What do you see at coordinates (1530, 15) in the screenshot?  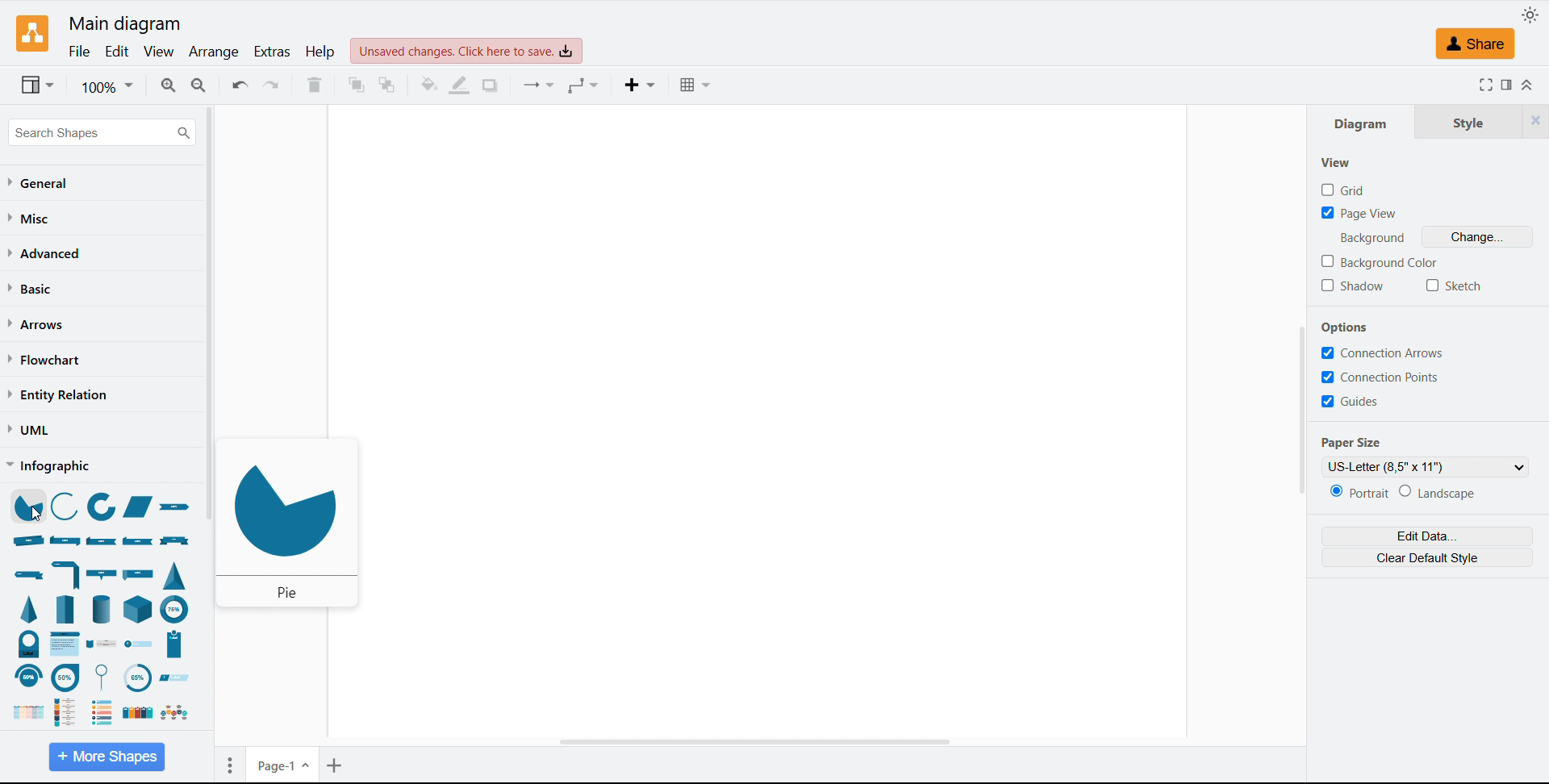 I see `Toggle theme ` at bounding box center [1530, 15].